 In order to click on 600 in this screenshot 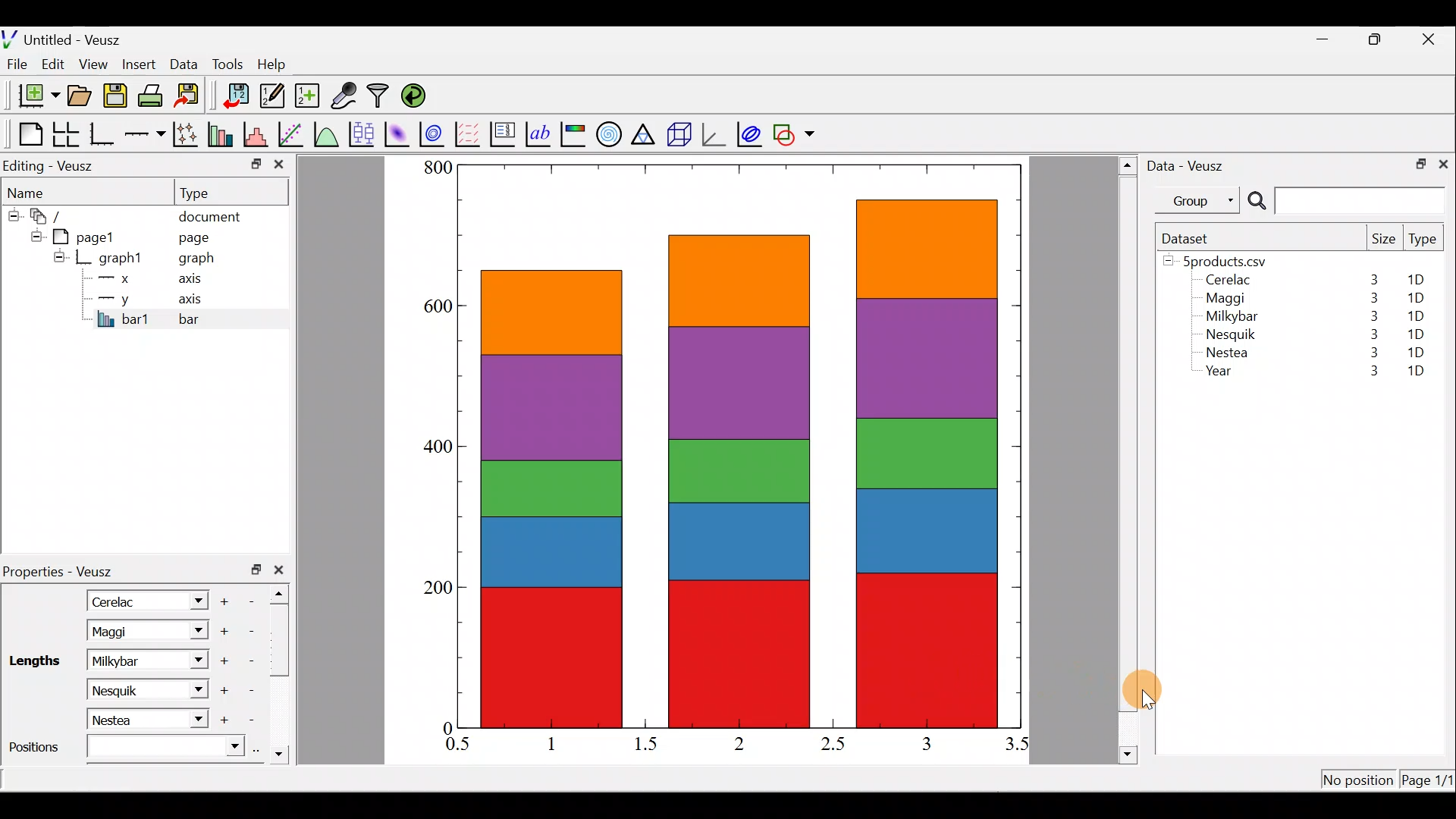, I will do `click(436, 309)`.